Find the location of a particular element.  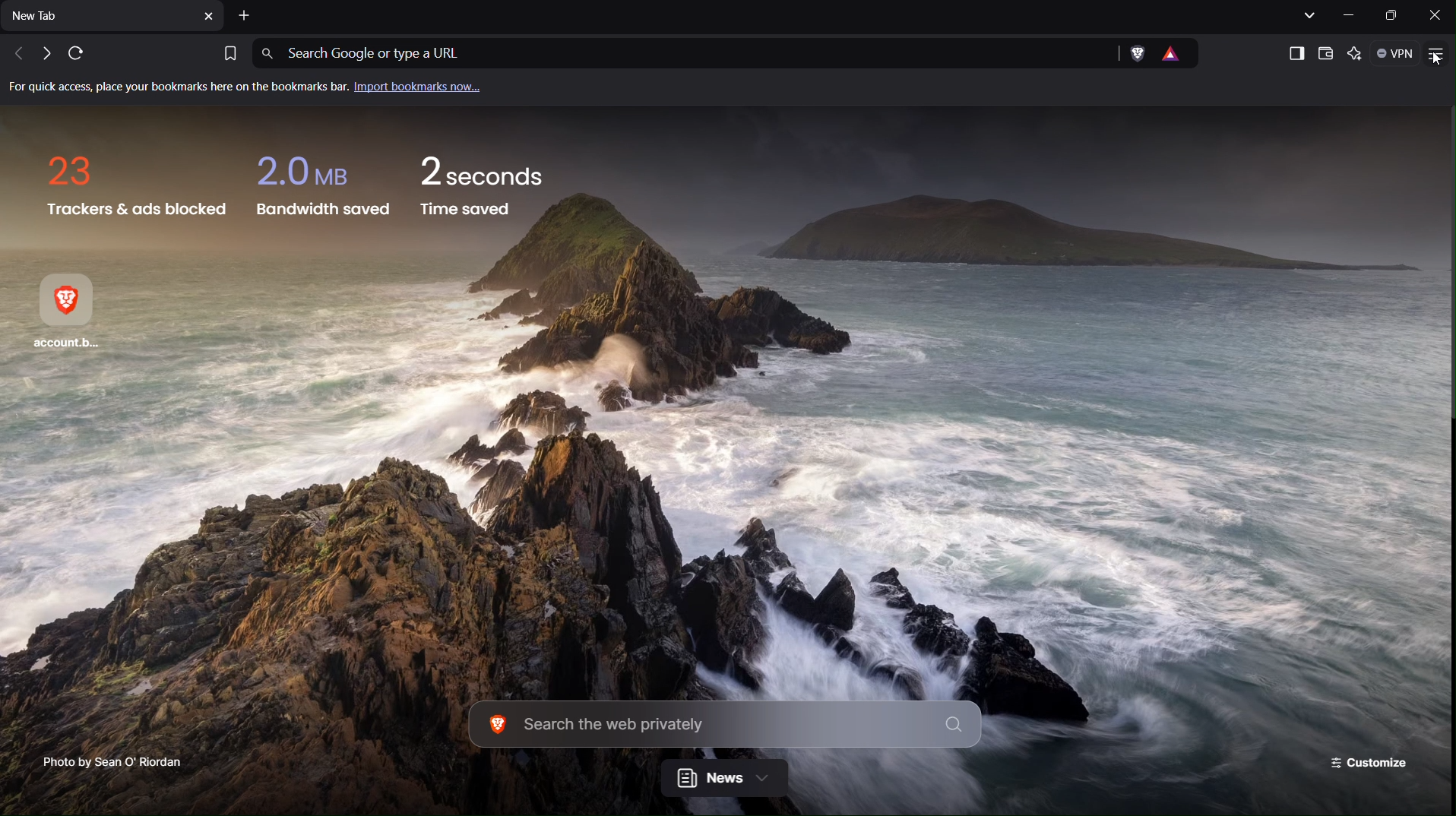

Back is located at coordinates (14, 54).